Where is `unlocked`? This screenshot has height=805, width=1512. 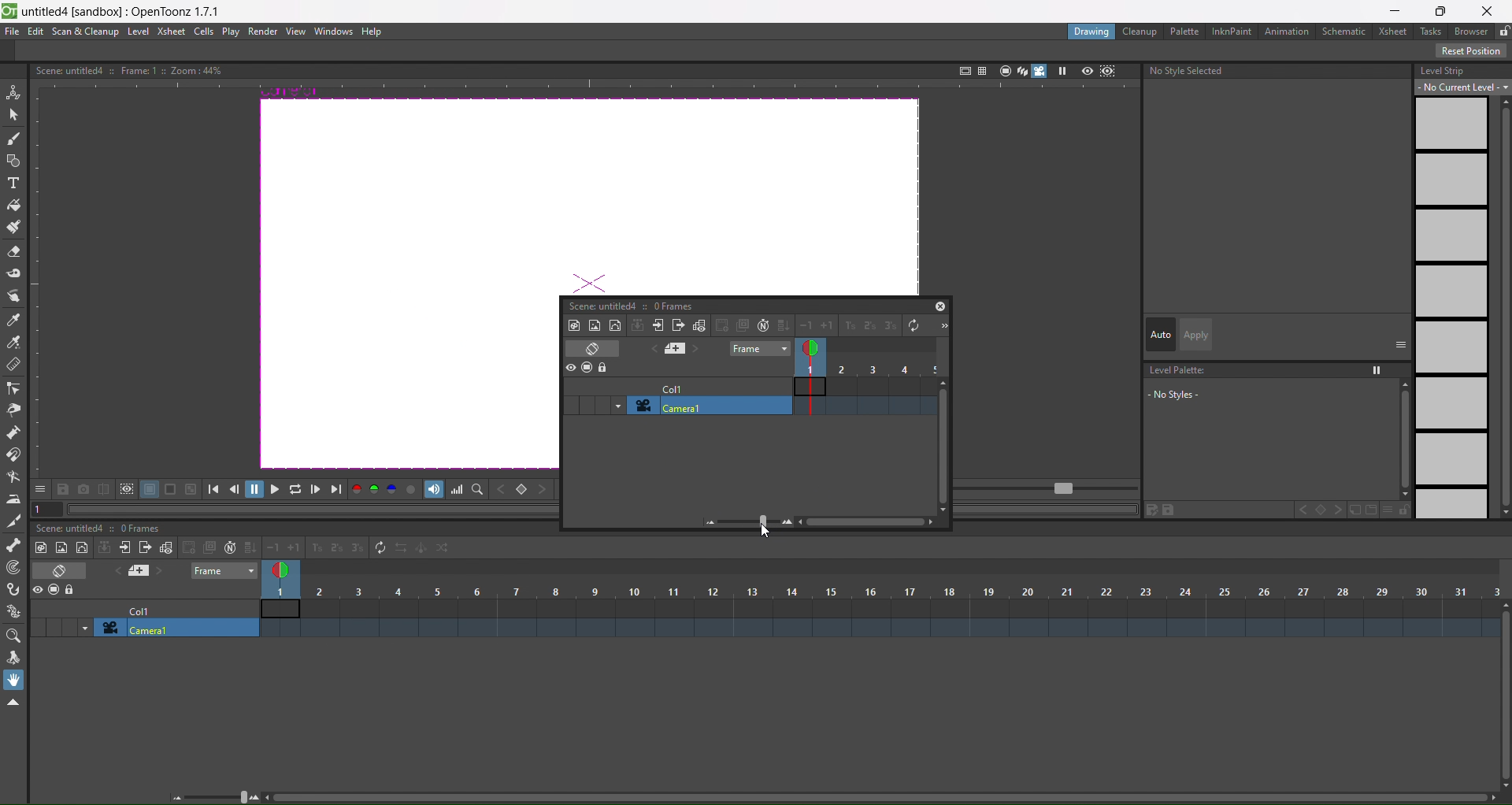
unlocked is located at coordinates (1503, 29).